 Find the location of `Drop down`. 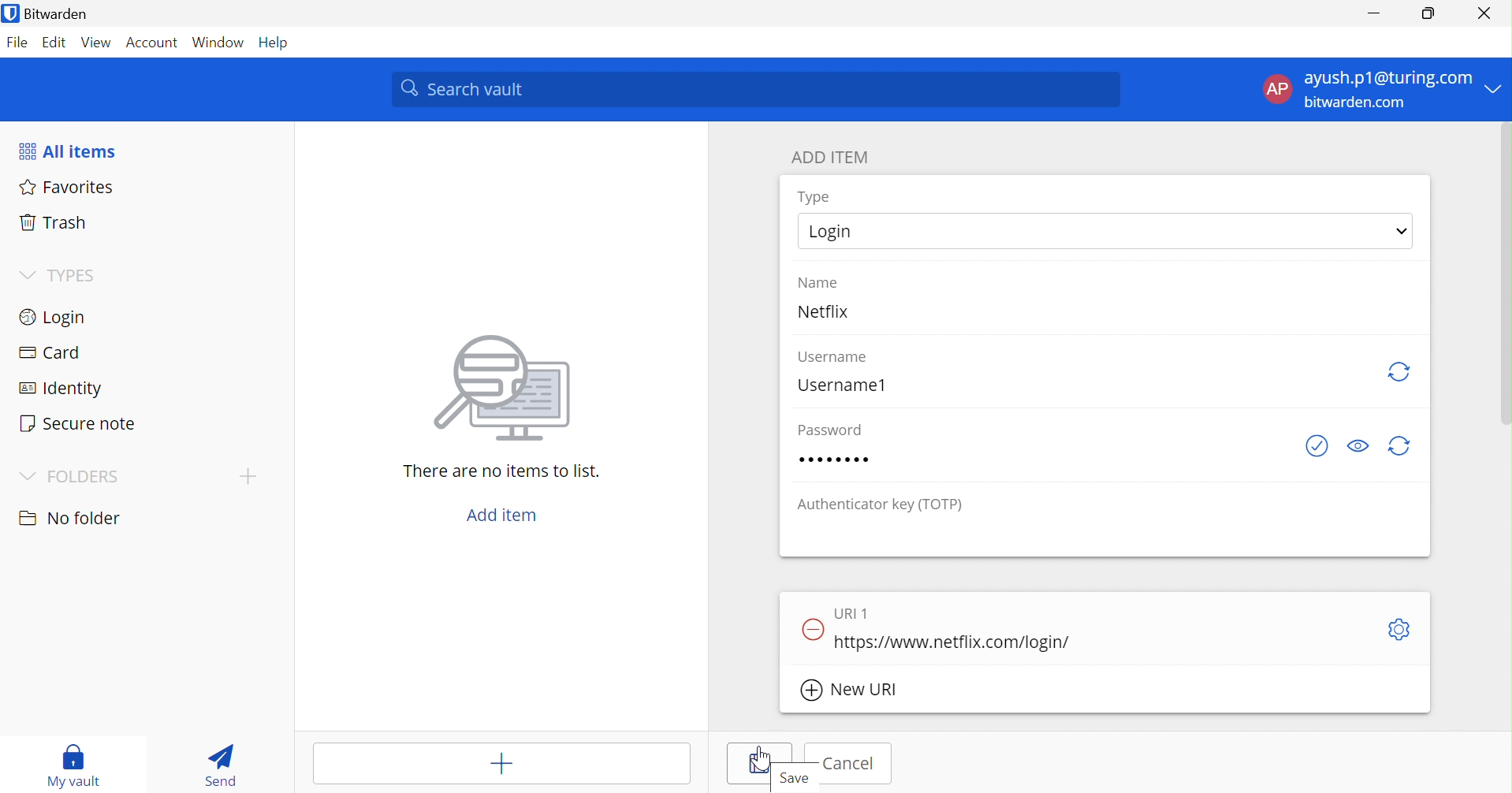

Drop down is located at coordinates (1495, 87).